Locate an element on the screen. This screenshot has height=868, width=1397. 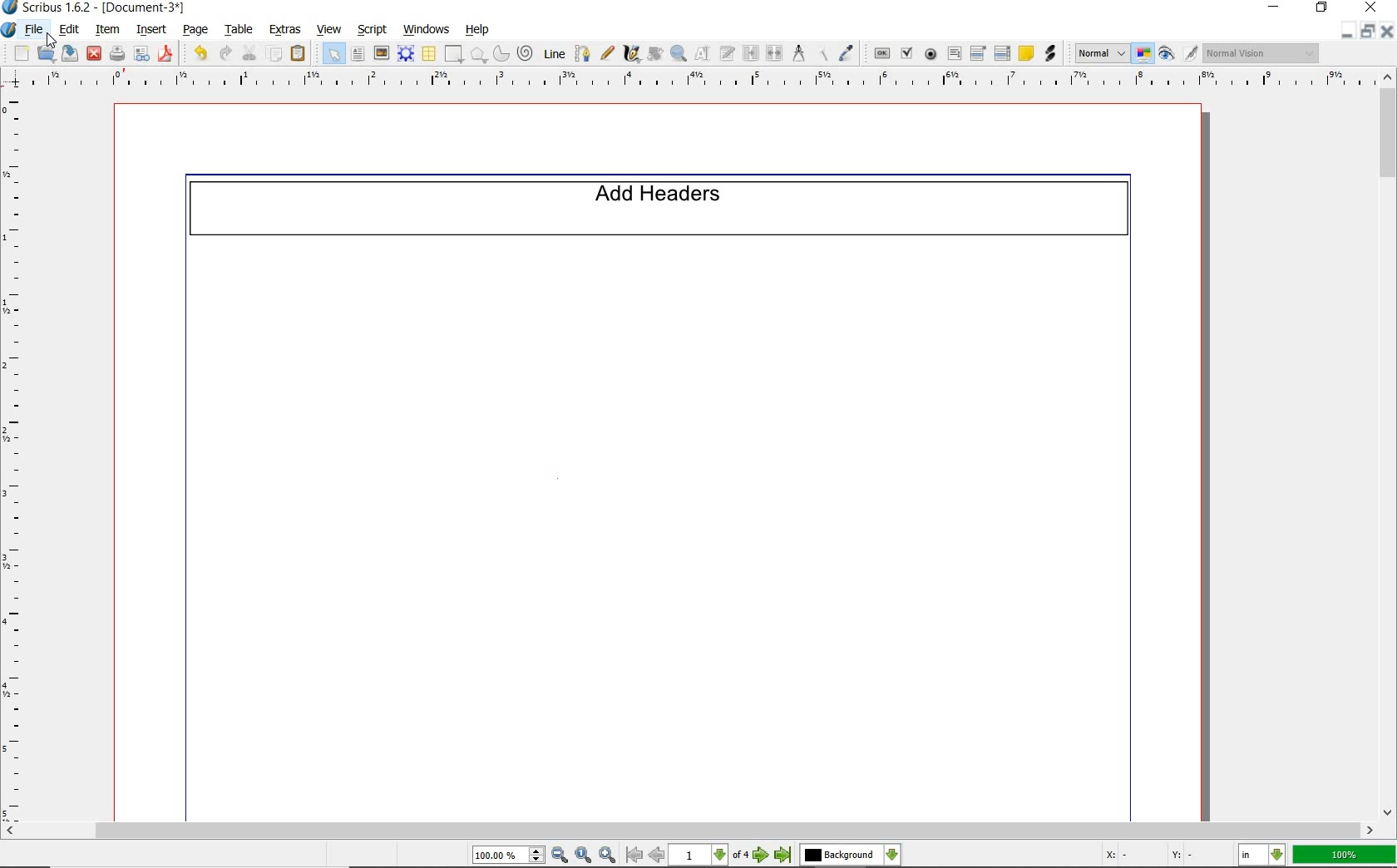
ruler is located at coordinates (692, 83).